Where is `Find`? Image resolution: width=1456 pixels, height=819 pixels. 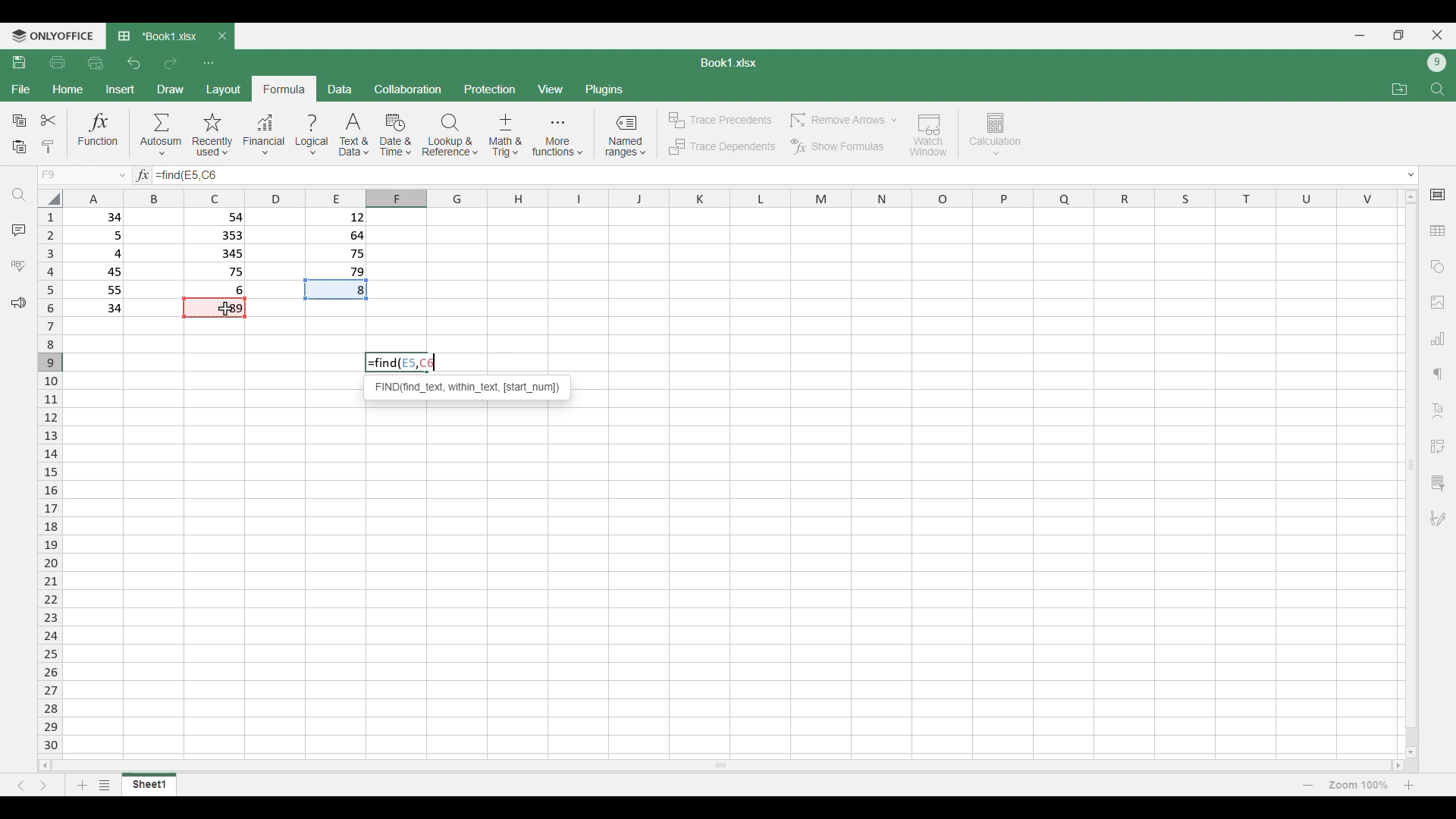
Find is located at coordinates (19, 195).